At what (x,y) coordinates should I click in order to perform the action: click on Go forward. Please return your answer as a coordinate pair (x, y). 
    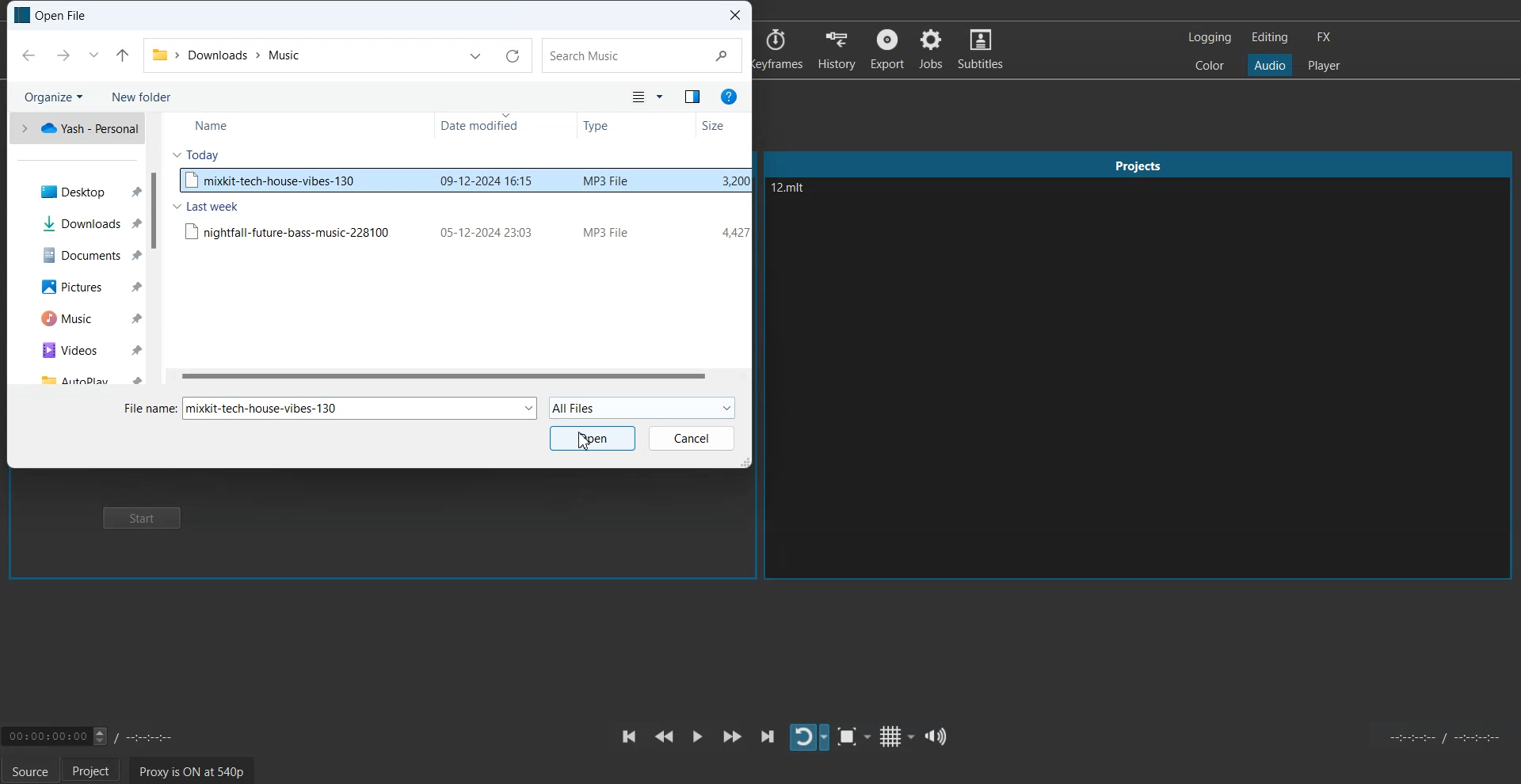
    Looking at the image, I should click on (63, 55).